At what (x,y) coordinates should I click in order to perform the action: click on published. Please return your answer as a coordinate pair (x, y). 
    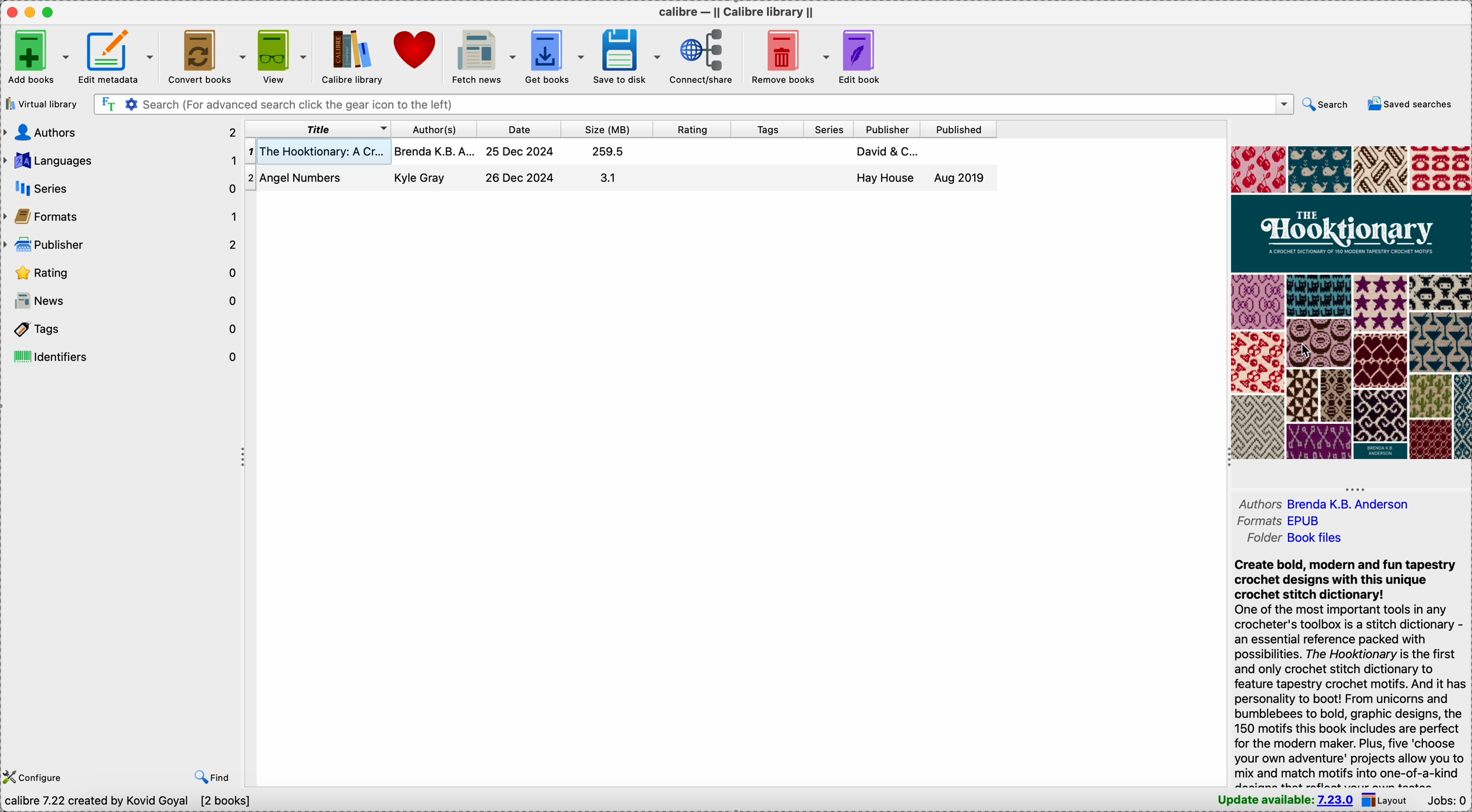
    Looking at the image, I should click on (959, 130).